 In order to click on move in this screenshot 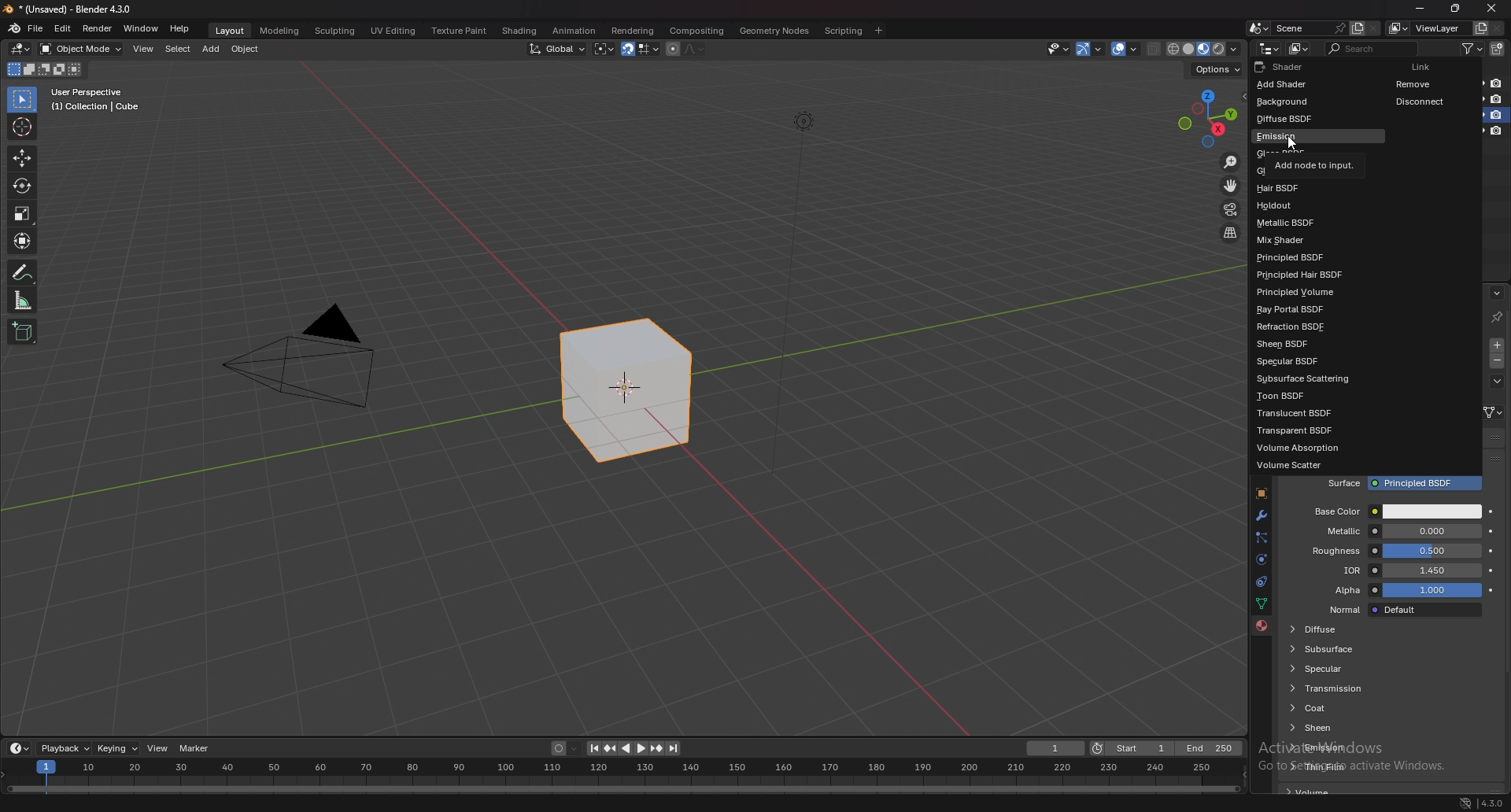, I will do `click(1232, 186)`.